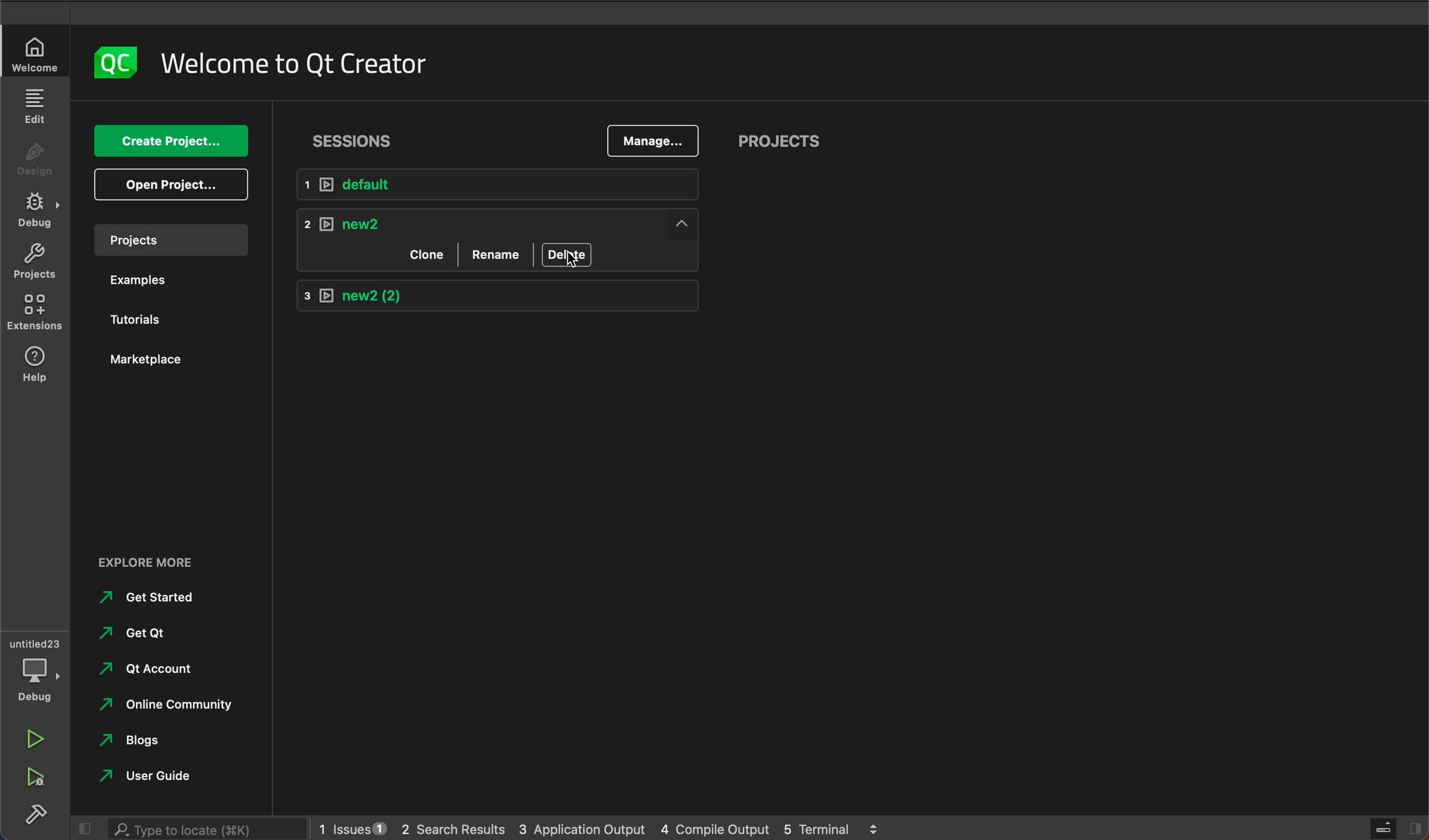 This screenshot has height=840, width=1429. Describe the element at coordinates (170, 184) in the screenshot. I see `open` at that location.